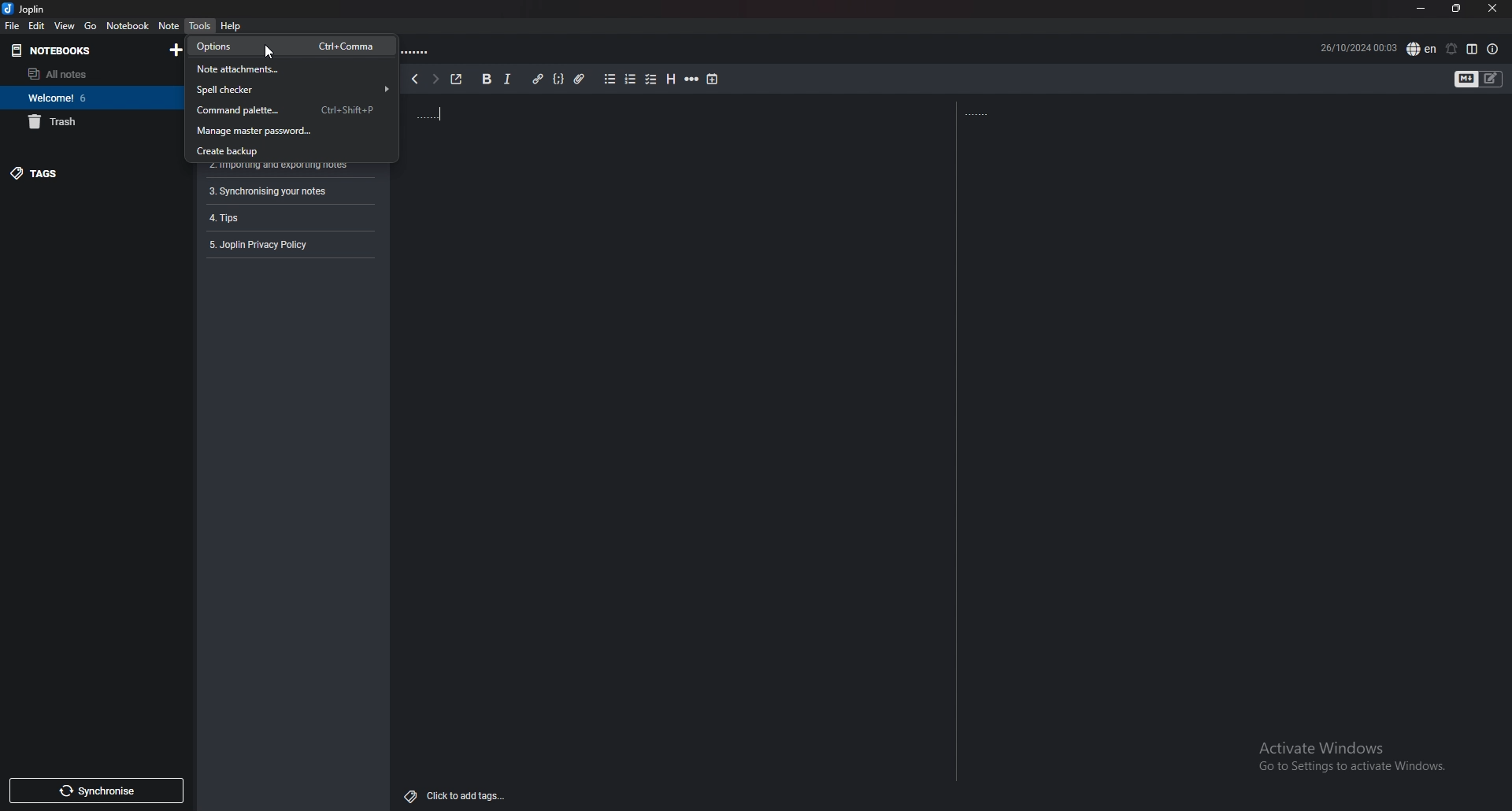  I want to click on add notebooks, so click(172, 51).